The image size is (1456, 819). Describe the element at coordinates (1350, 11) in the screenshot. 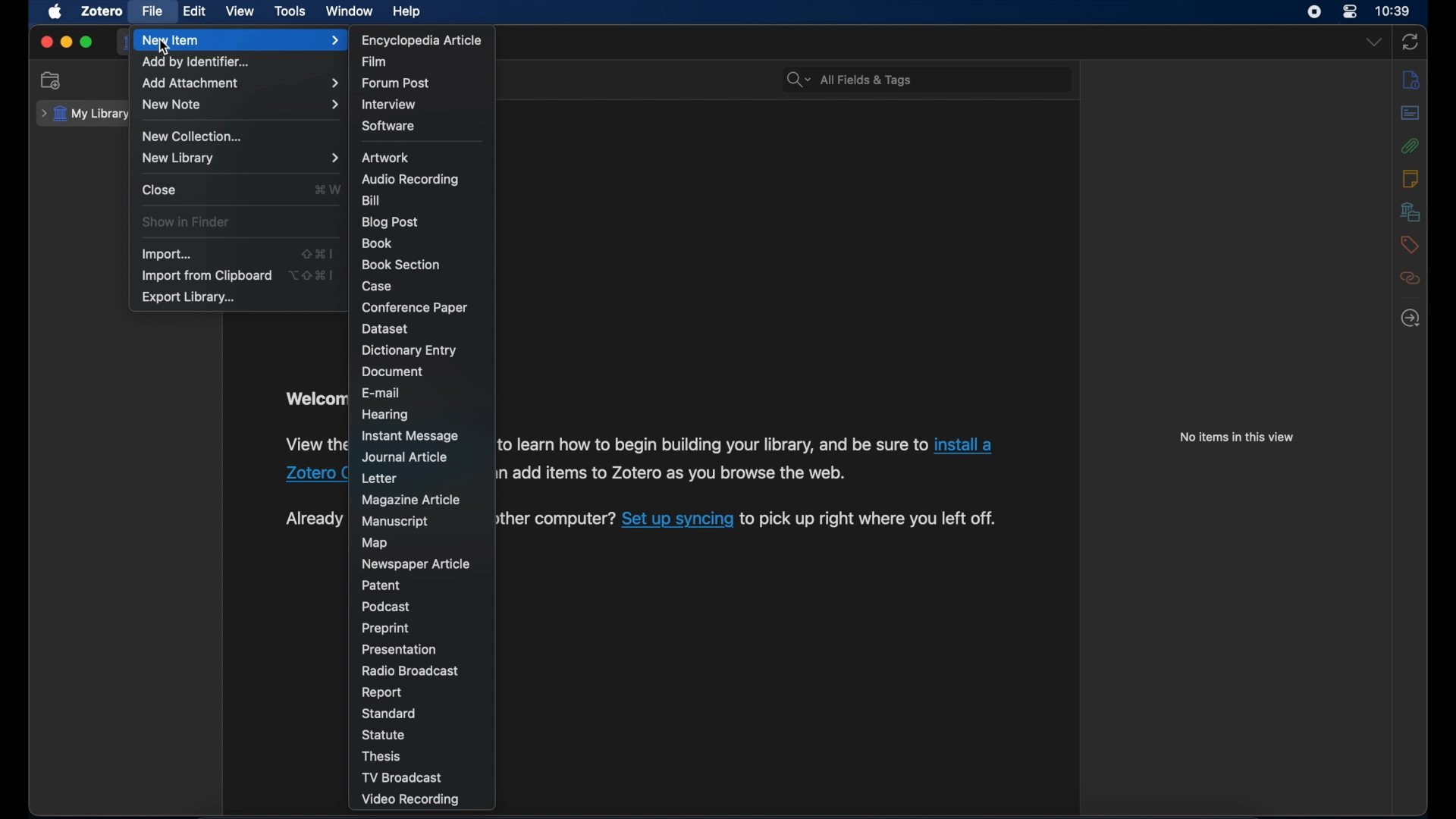

I see `control center` at that location.